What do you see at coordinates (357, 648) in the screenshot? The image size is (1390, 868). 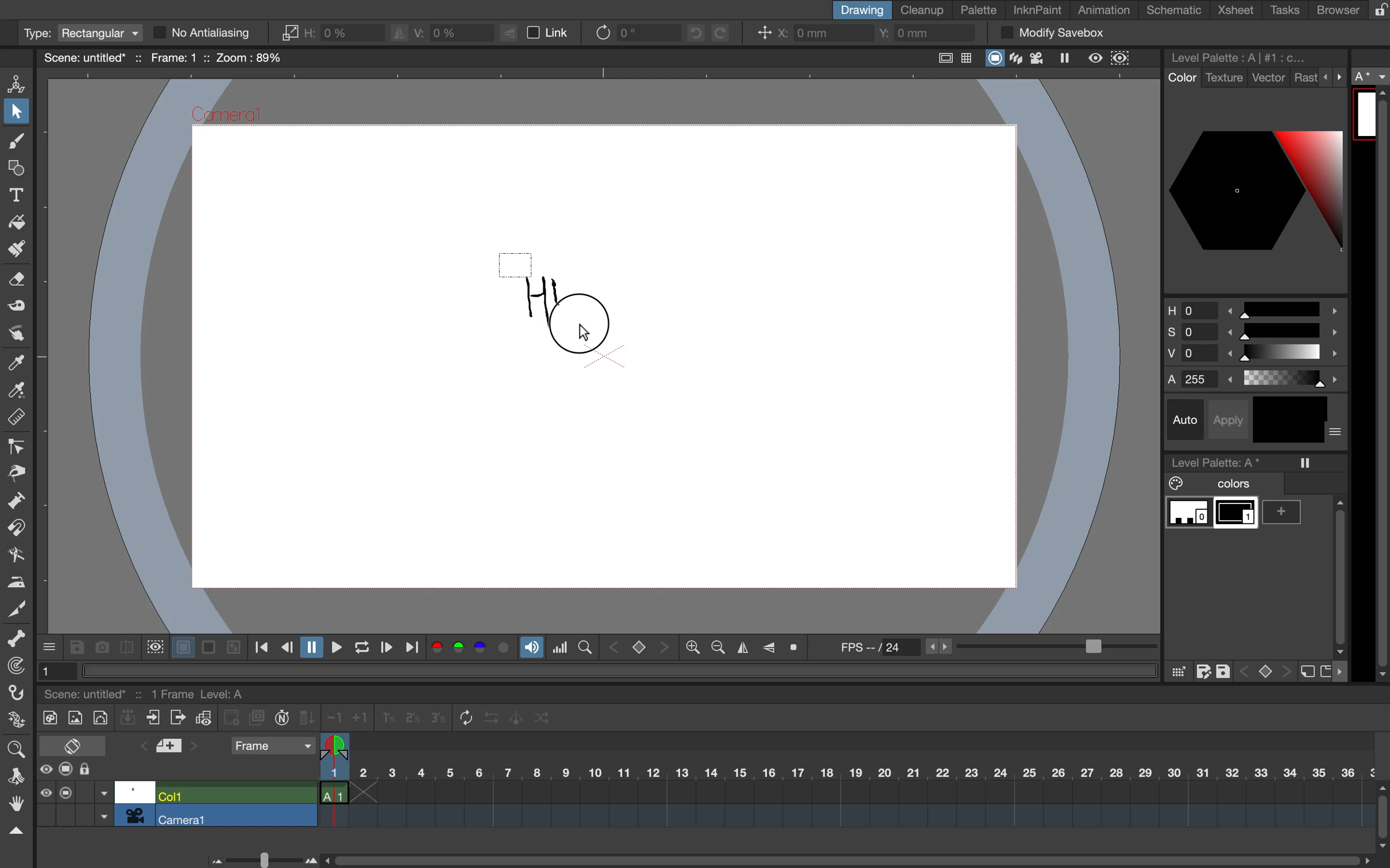 I see `loop` at bounding box center [357, 648].